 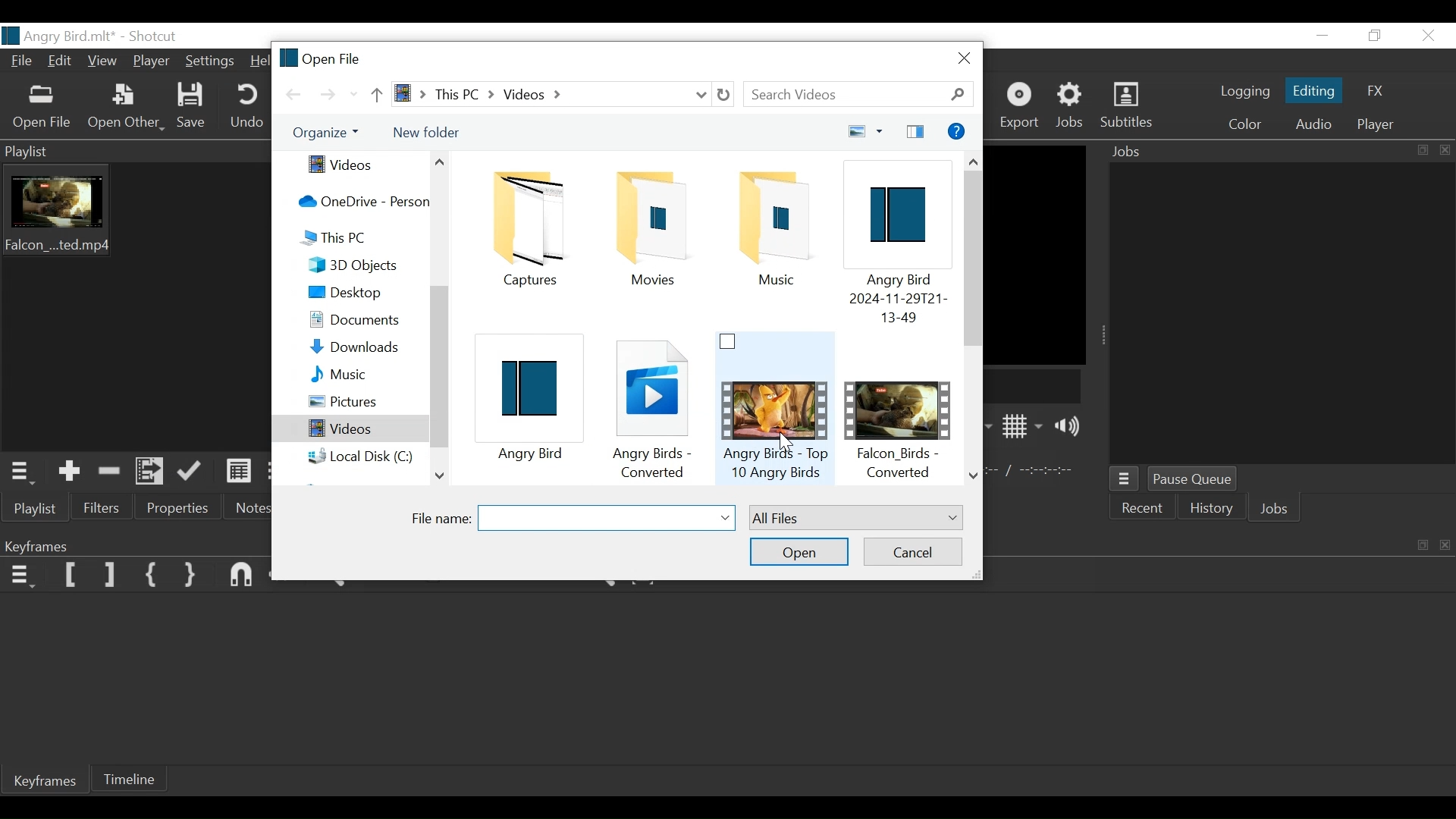 I want to click on Project Folder, so click(x=653, y=226).